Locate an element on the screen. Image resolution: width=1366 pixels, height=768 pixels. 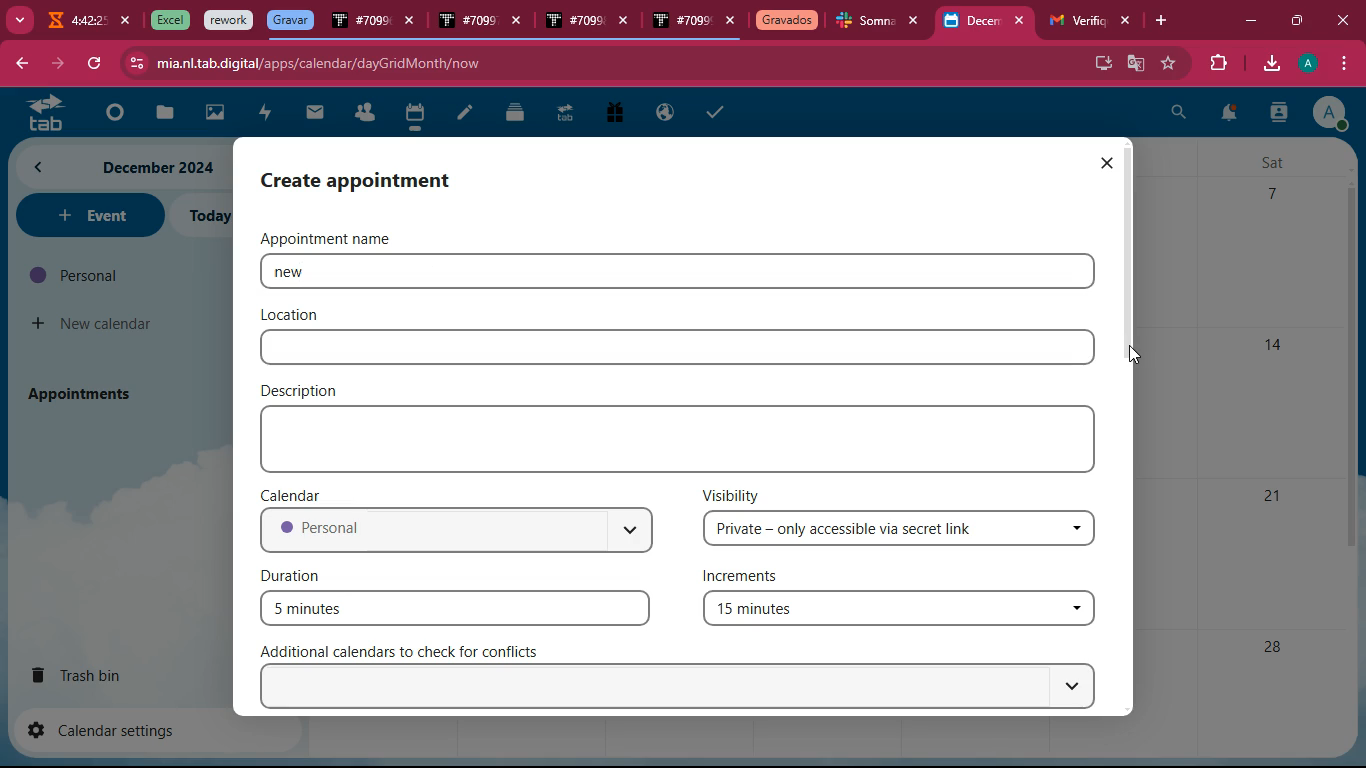
5 minutes is located at coordinates (455, 607).